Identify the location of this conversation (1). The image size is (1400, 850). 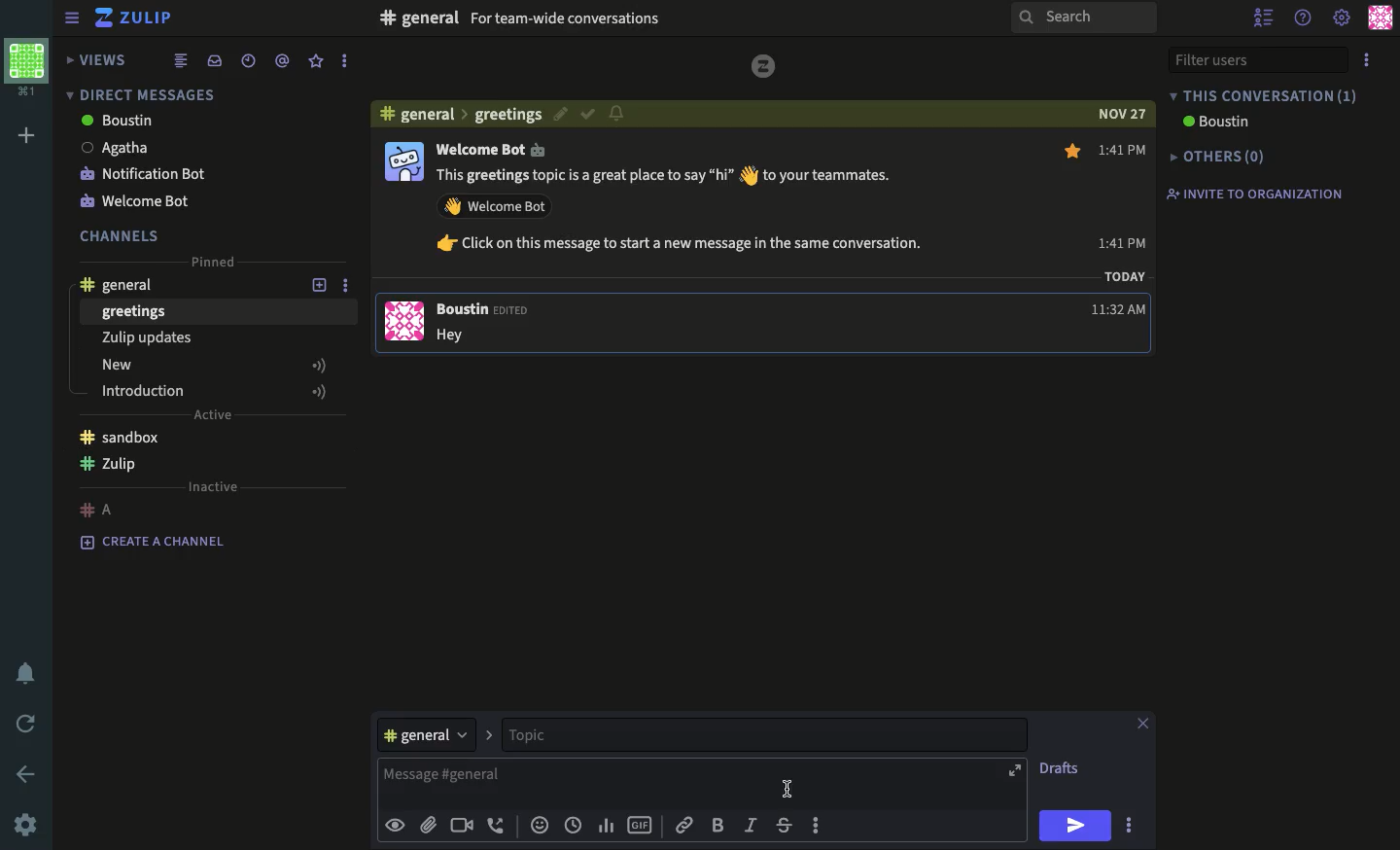
(1264, 95).